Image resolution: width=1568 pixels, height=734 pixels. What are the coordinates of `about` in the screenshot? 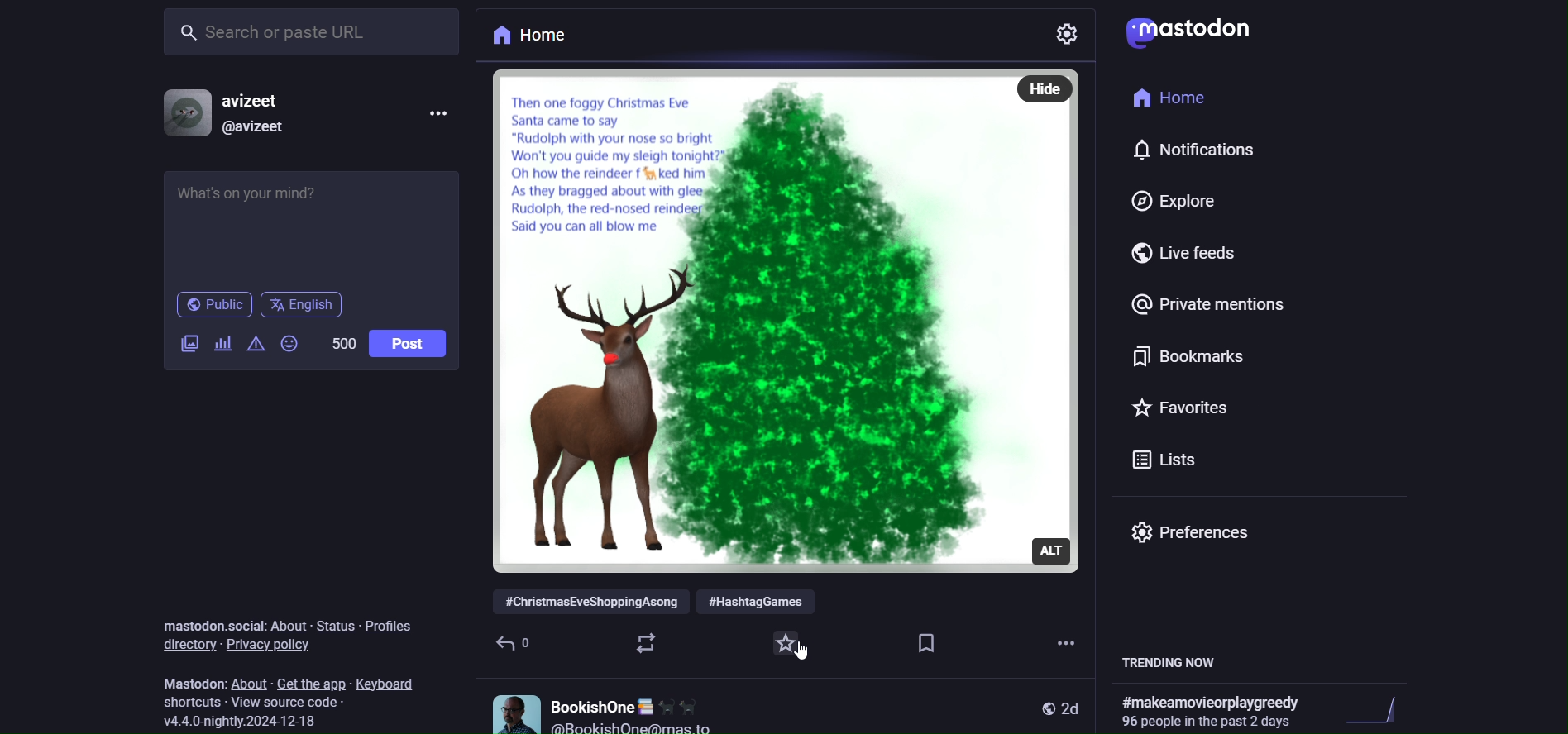 It's located at (290, 626).